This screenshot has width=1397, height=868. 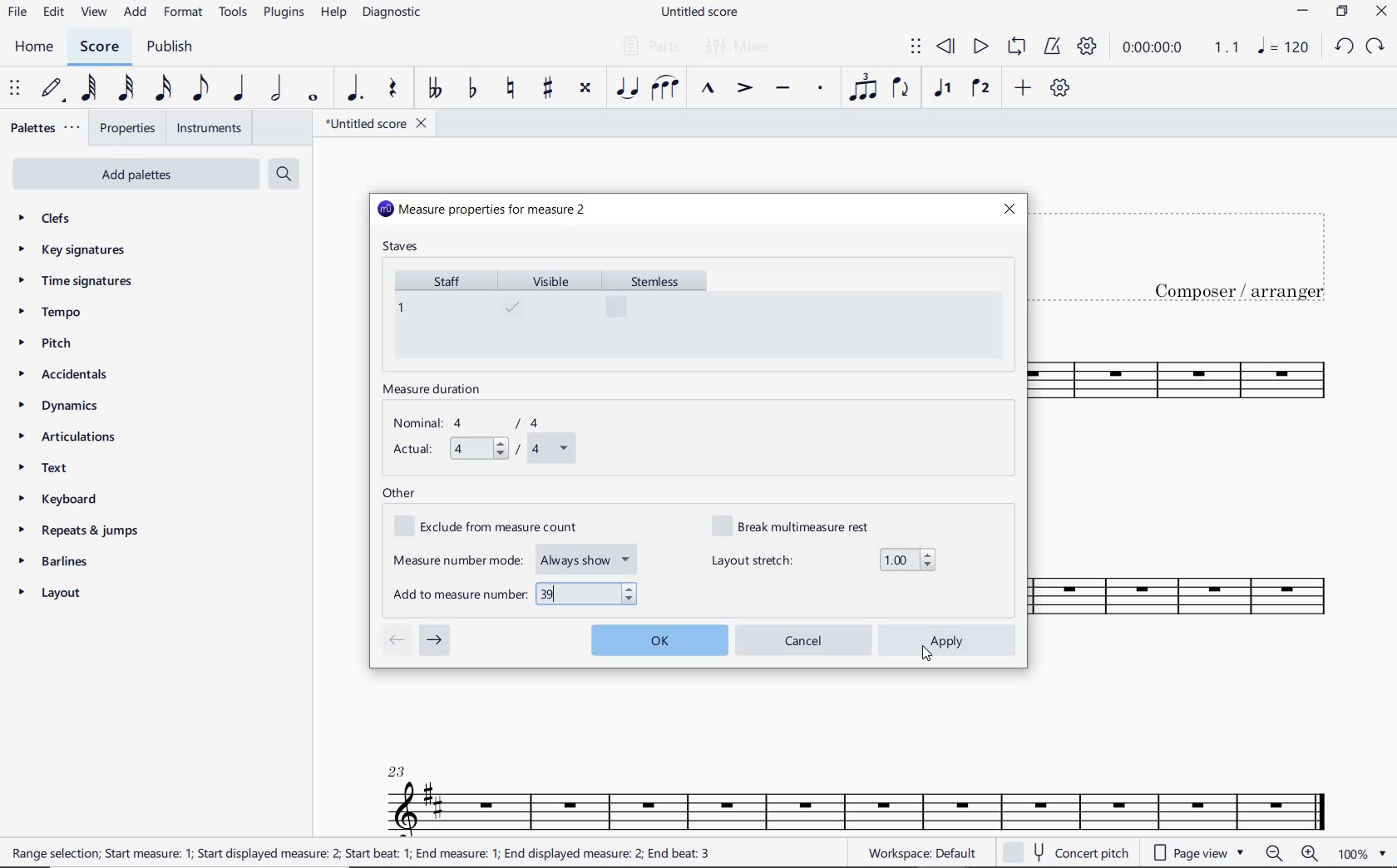 What do you see at coordinates (1087, 47) in the screenshot?
I see `PLAYBACK SETTINGS` at bounding box center [1087, 47].